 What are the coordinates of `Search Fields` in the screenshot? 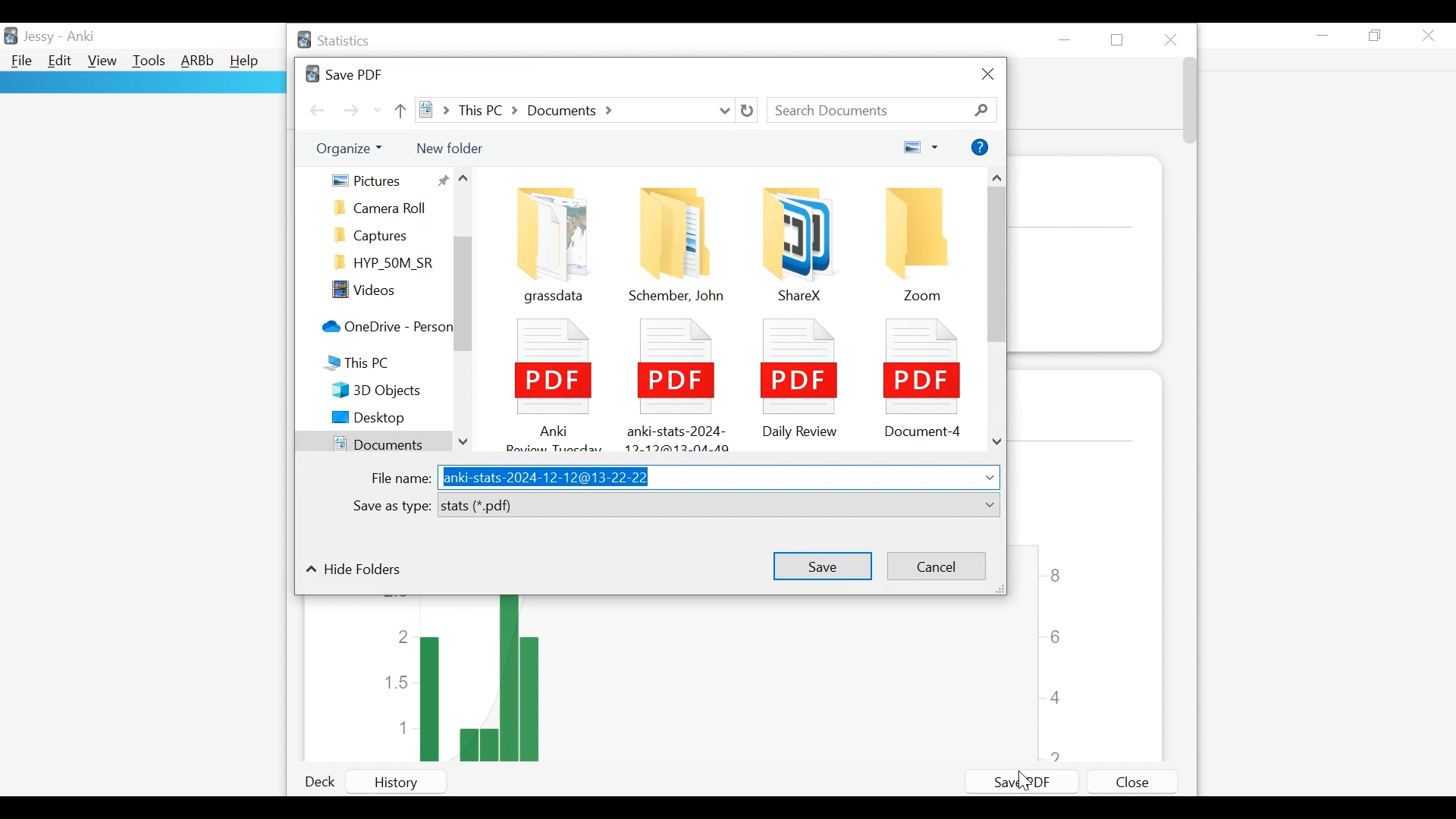 It's located at (883, 110).